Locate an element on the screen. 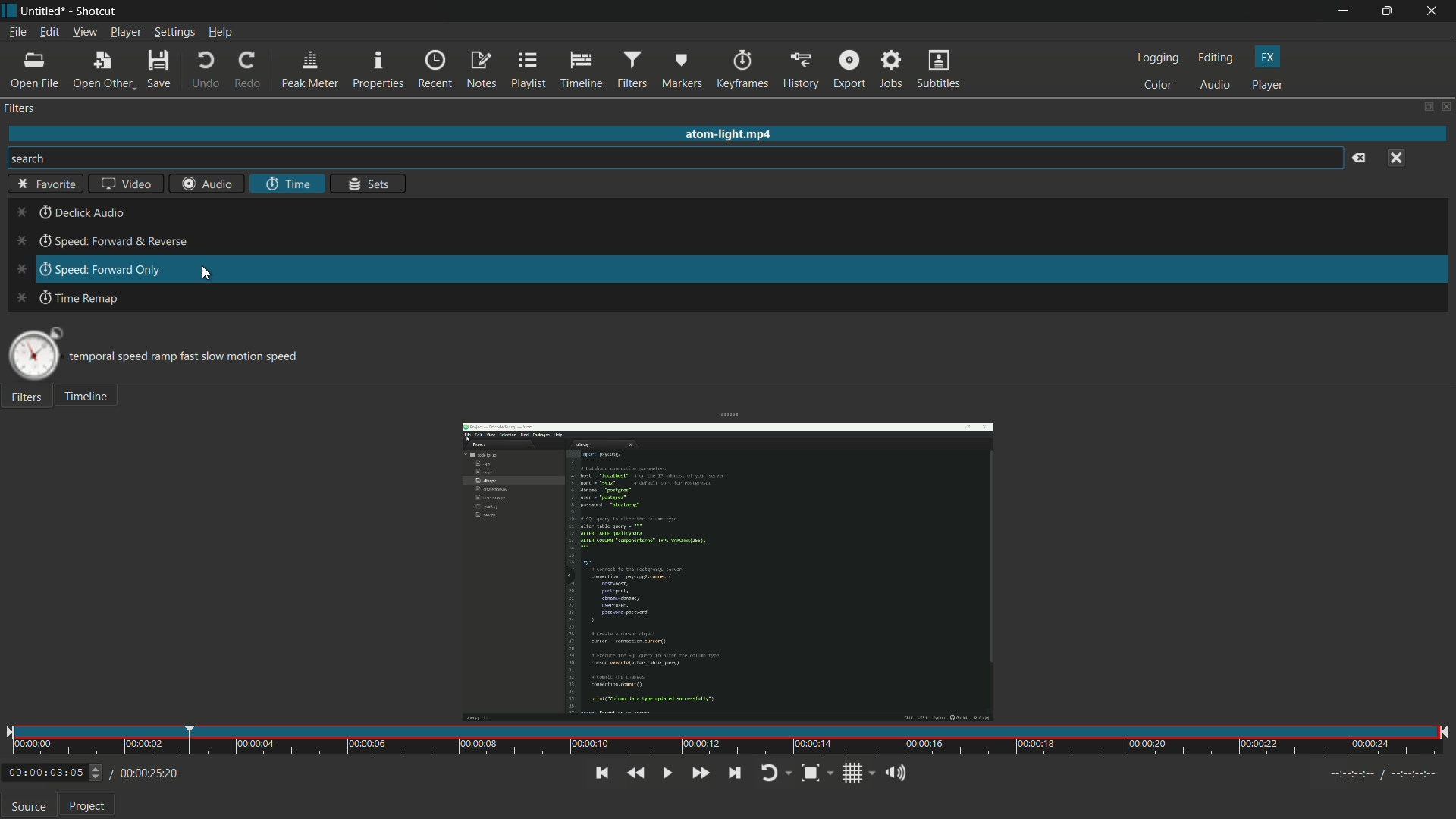 The height and width of the screenshot is (819, 1456). filters is located at coordinates (632, 71).